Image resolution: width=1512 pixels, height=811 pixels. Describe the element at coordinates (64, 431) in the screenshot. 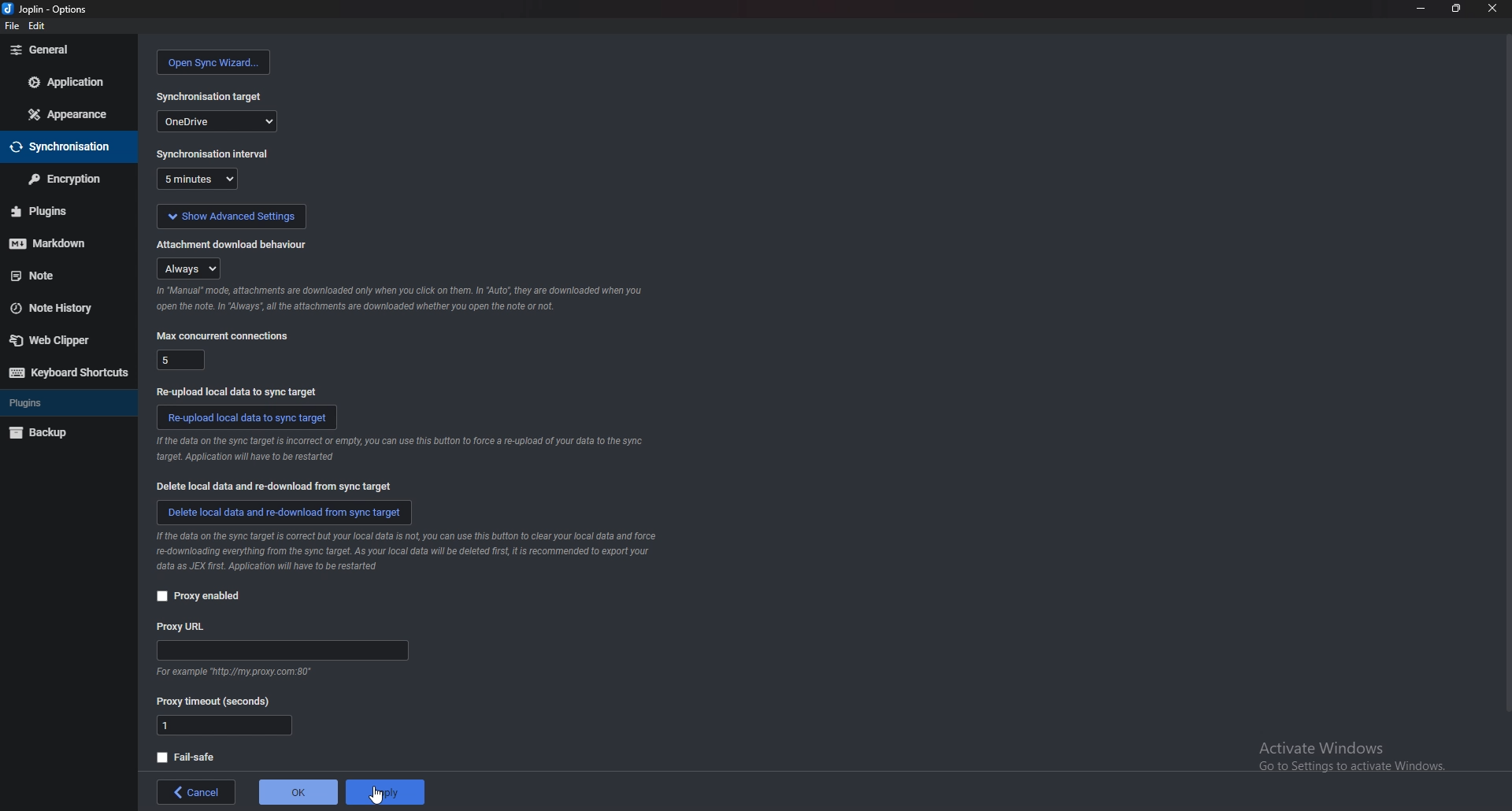

I see `backup` at that location.